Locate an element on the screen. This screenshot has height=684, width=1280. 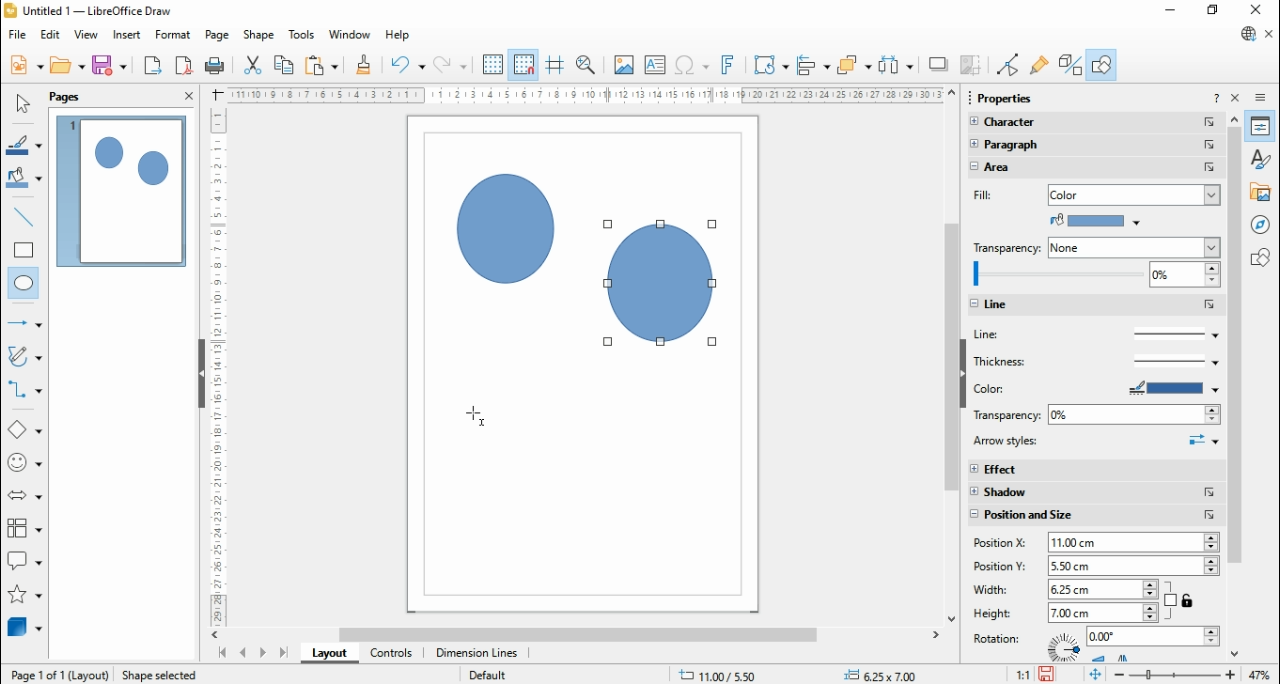
line color is located at coordinates (26, 145).